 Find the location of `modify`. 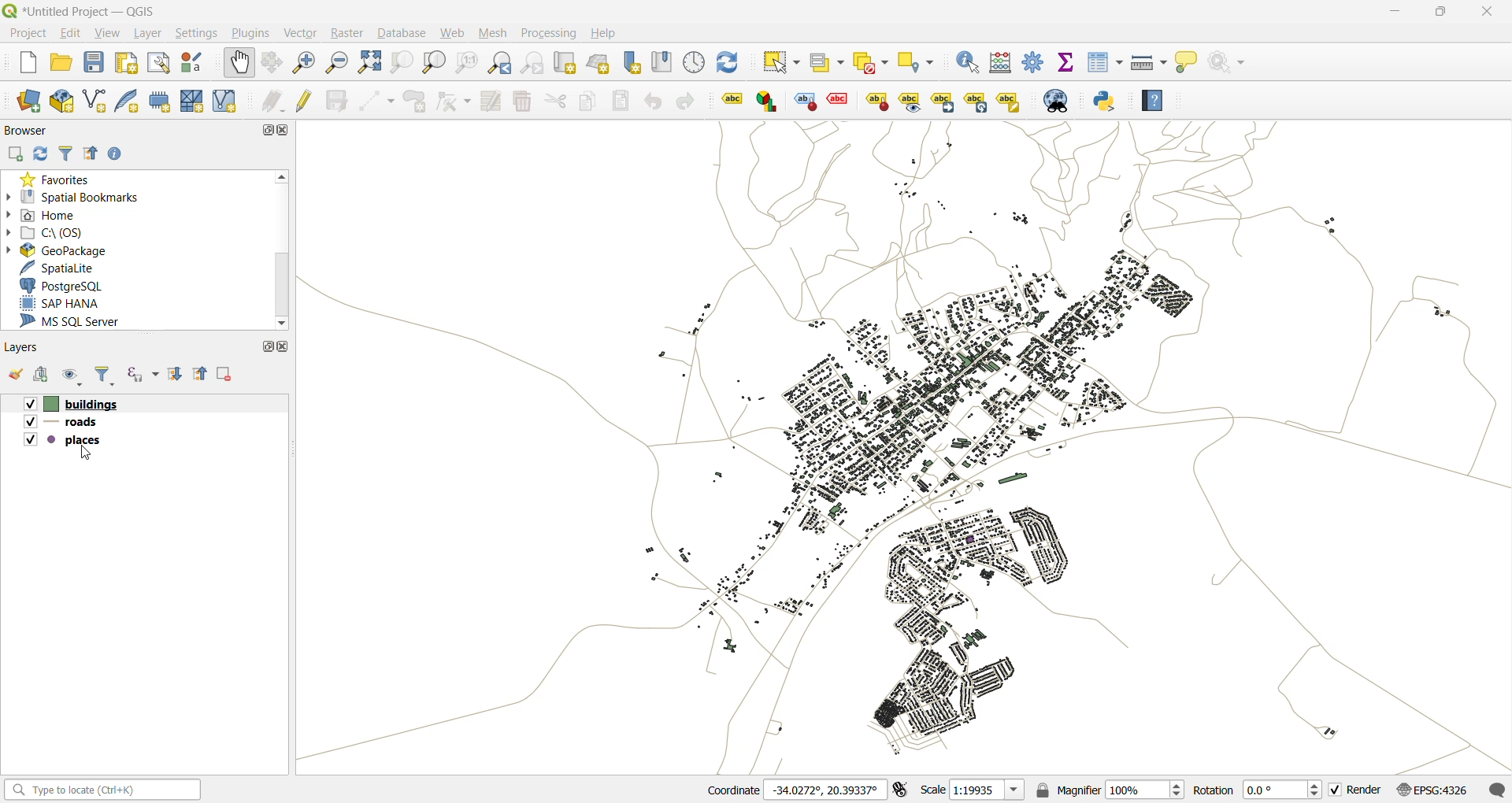

modify is located at coordinates (492, 102).